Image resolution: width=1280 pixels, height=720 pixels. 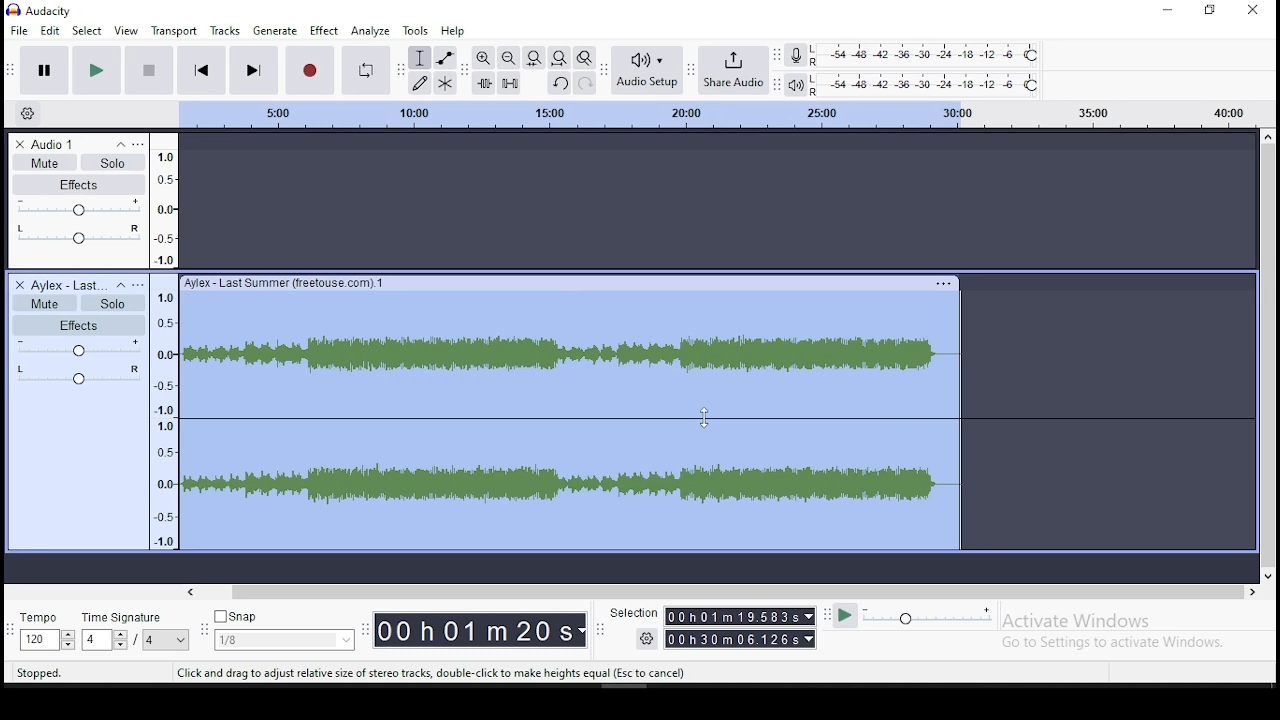 What do you see at coordinates (445, 58) in the screenshot?
I see `envelope tool` at bounding box center [445, 58].